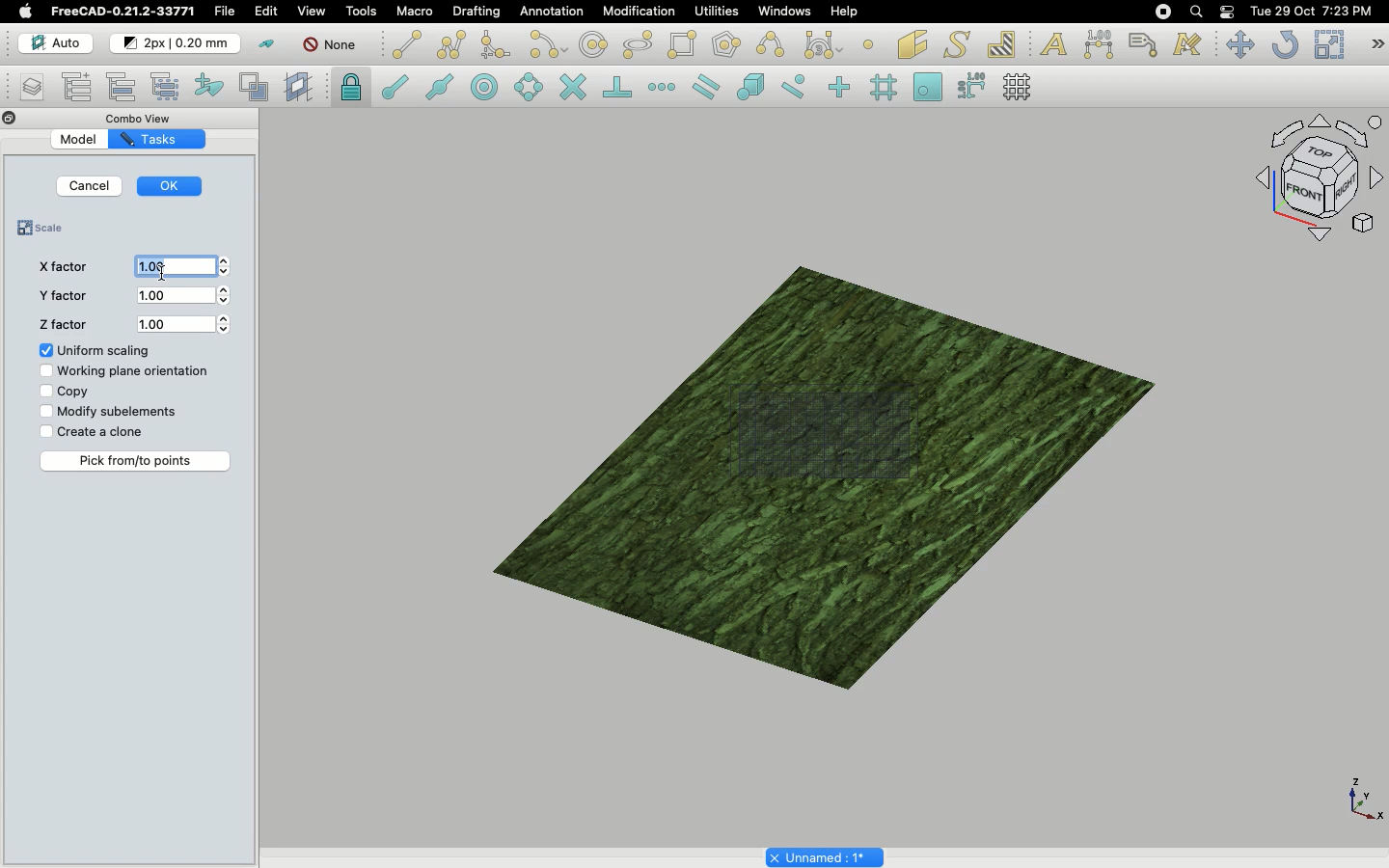 Image resolution: width=1389 pixels, height=868 pixels. Describe the element at coordinates (825, 856) in the screenshot. I see `Project name` at that location.